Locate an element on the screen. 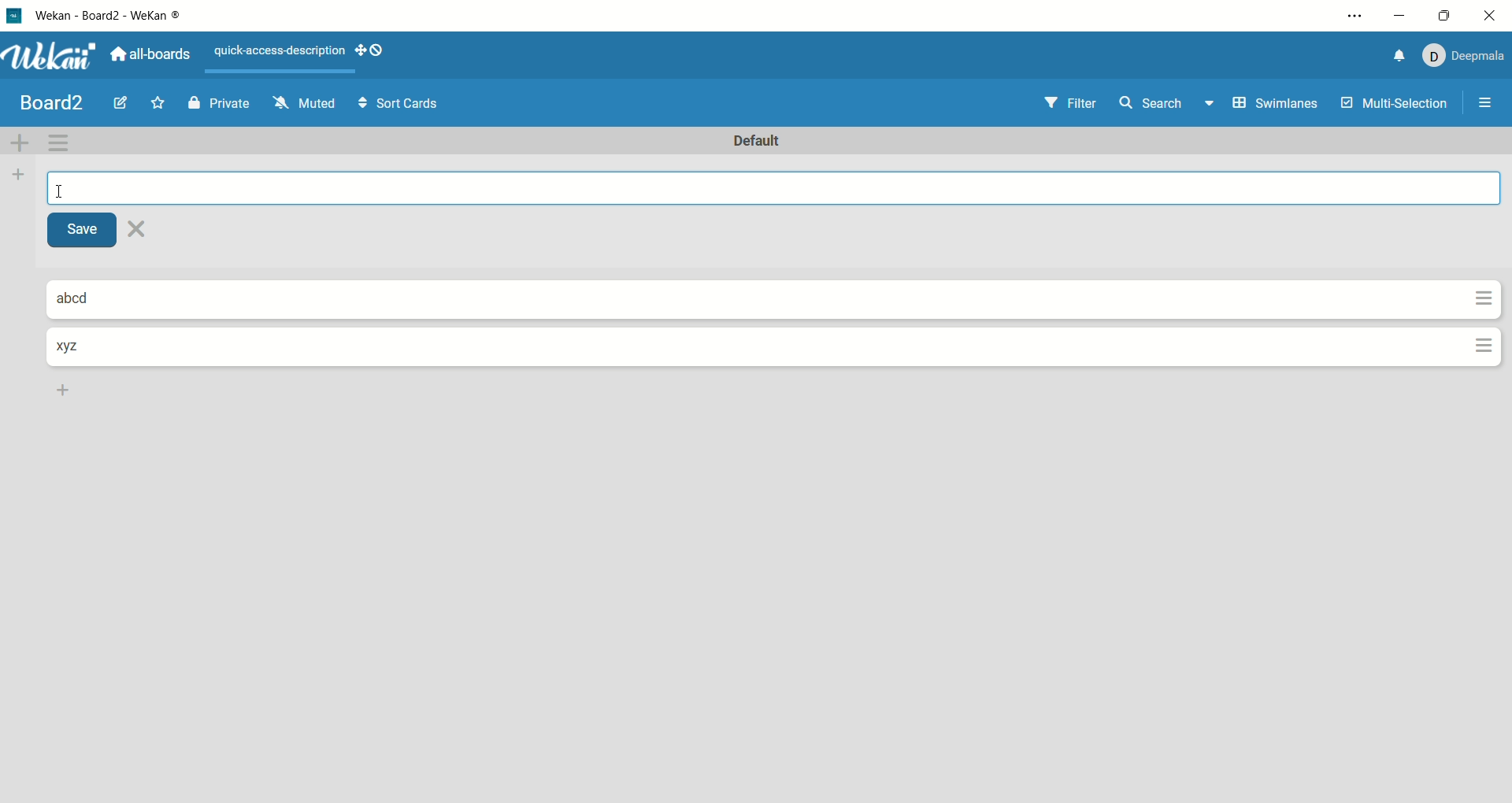 Image resolution: width=1512 pixels, height=803 pixels. add list is located at coordinates (17, 176).